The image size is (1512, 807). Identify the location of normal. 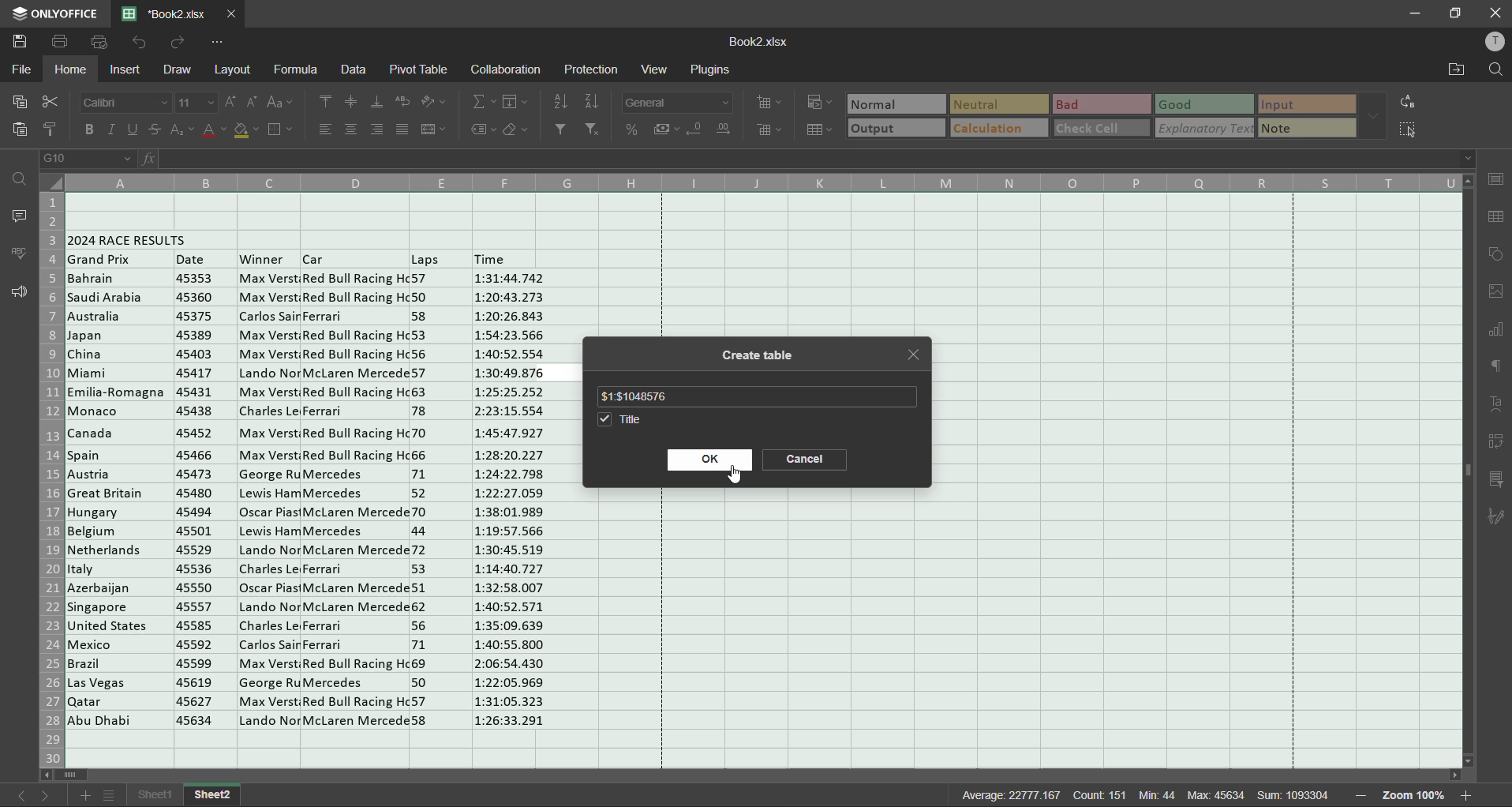
(897, 103).